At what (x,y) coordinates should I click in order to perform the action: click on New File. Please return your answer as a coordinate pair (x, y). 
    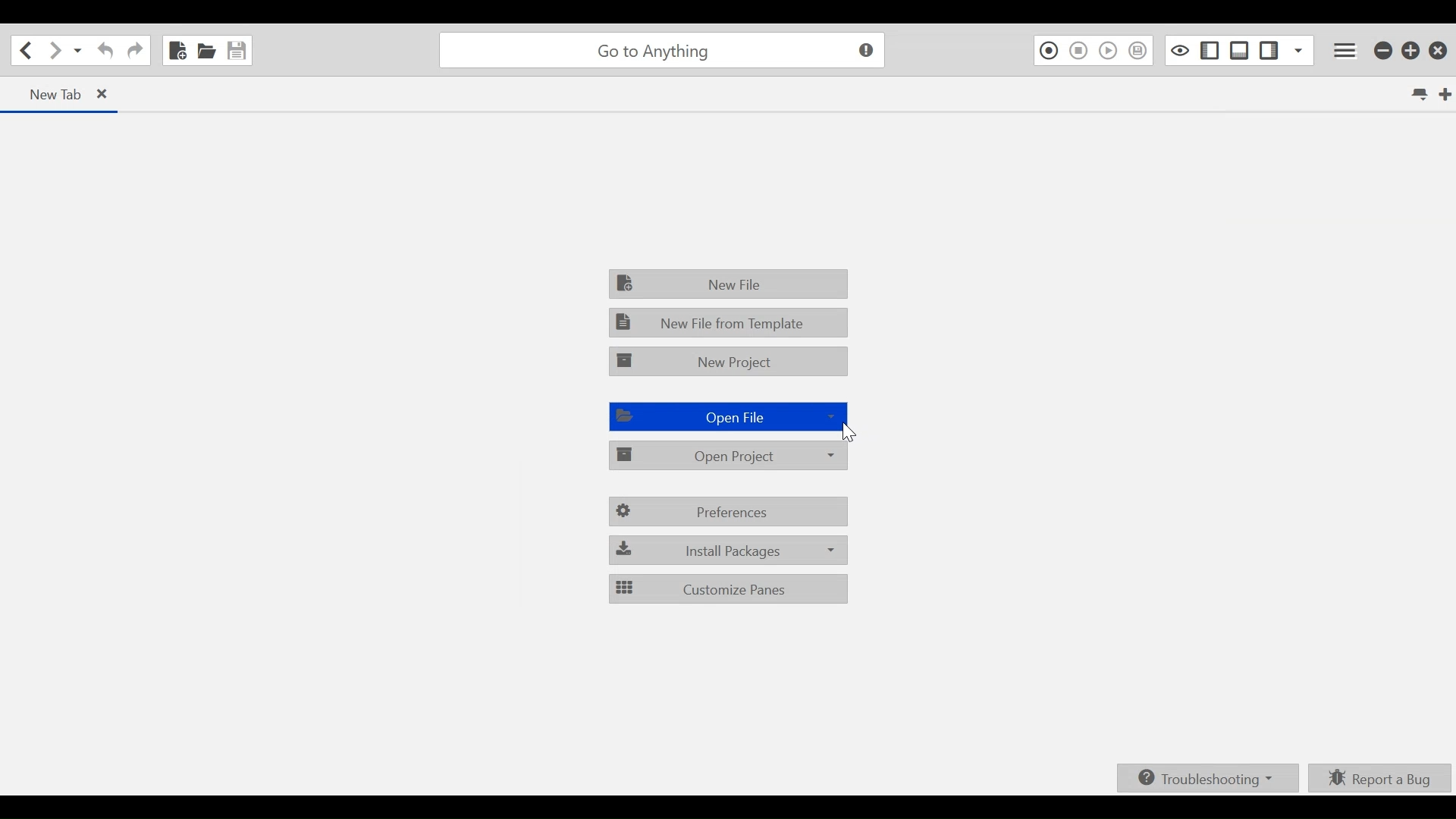
    Looking at the image, I should click on (178, 49).